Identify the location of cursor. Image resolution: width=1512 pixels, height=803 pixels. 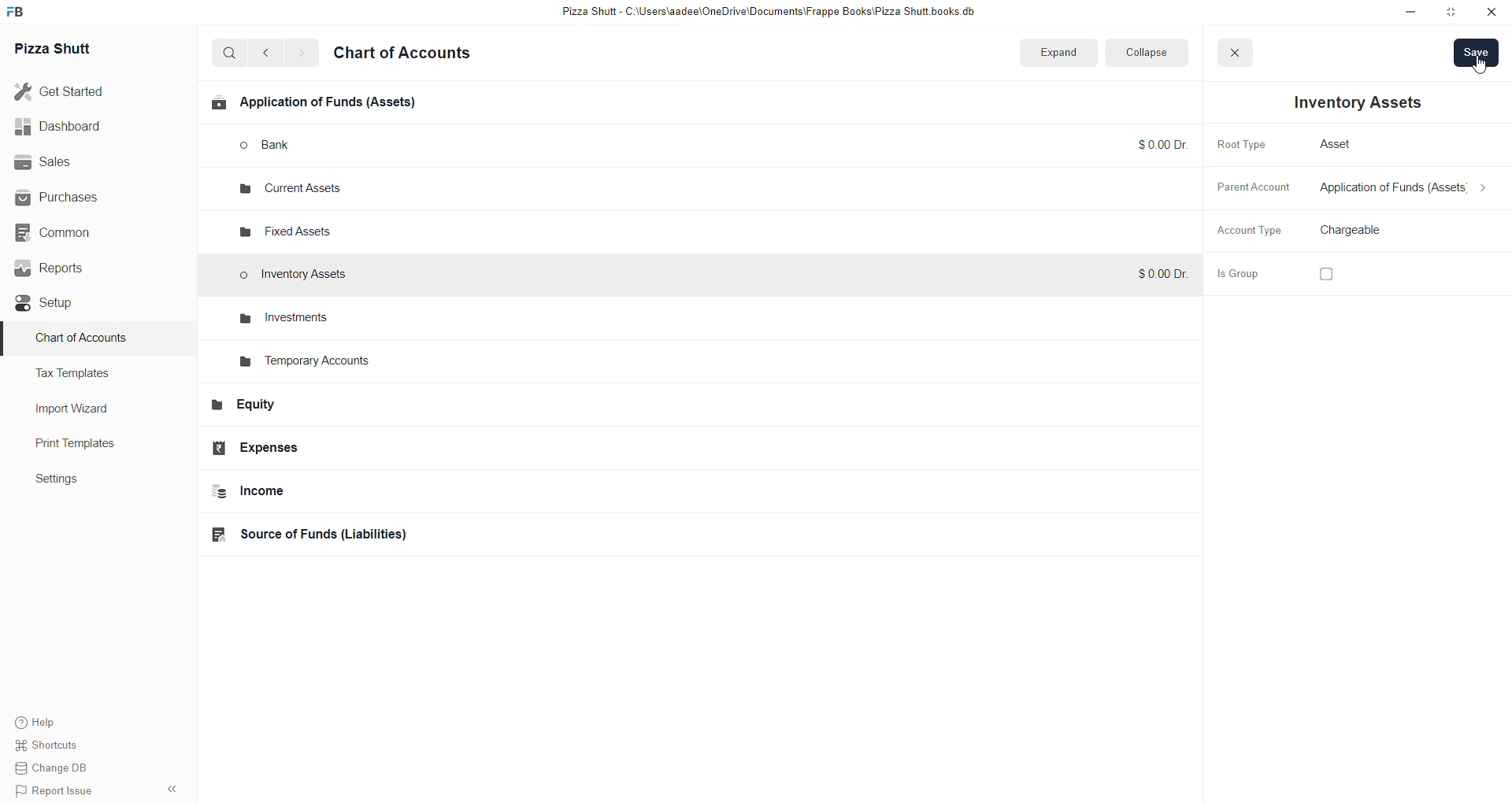
(1481, 70).